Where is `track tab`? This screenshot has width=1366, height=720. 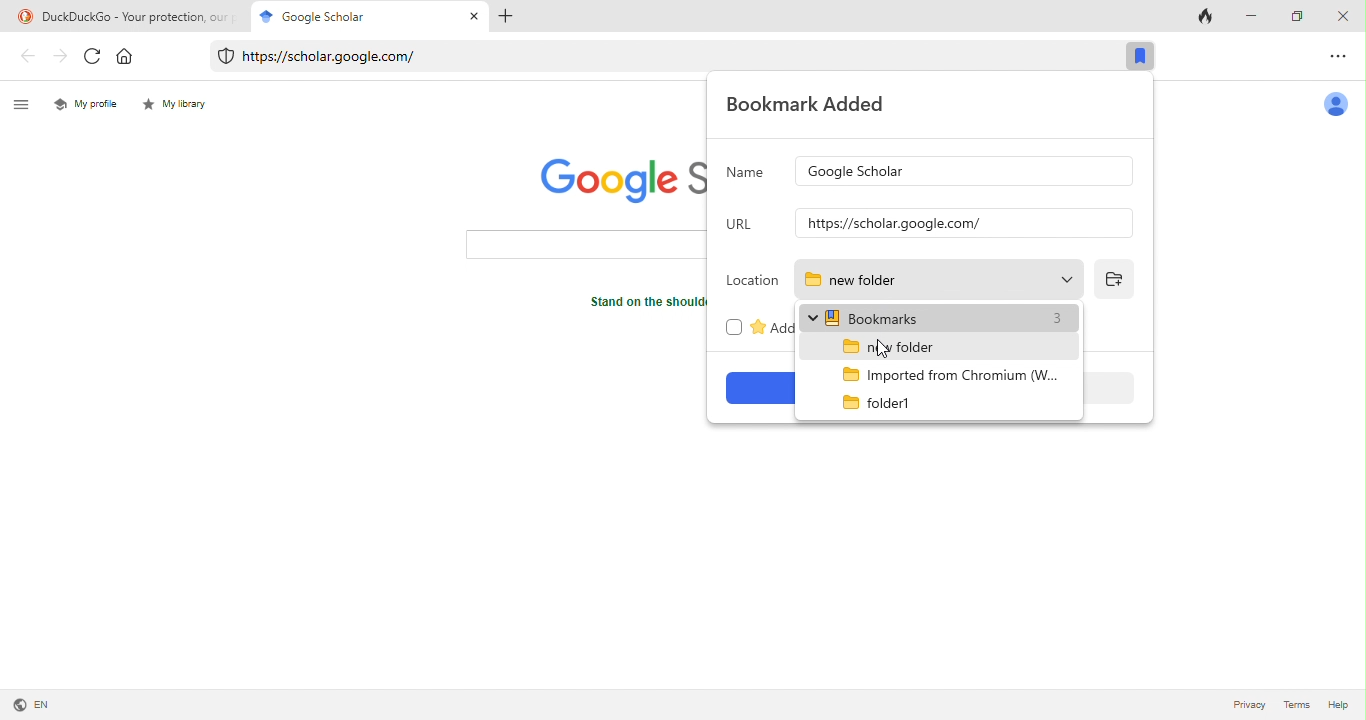 track tab is located at coordinates (1210, 15).